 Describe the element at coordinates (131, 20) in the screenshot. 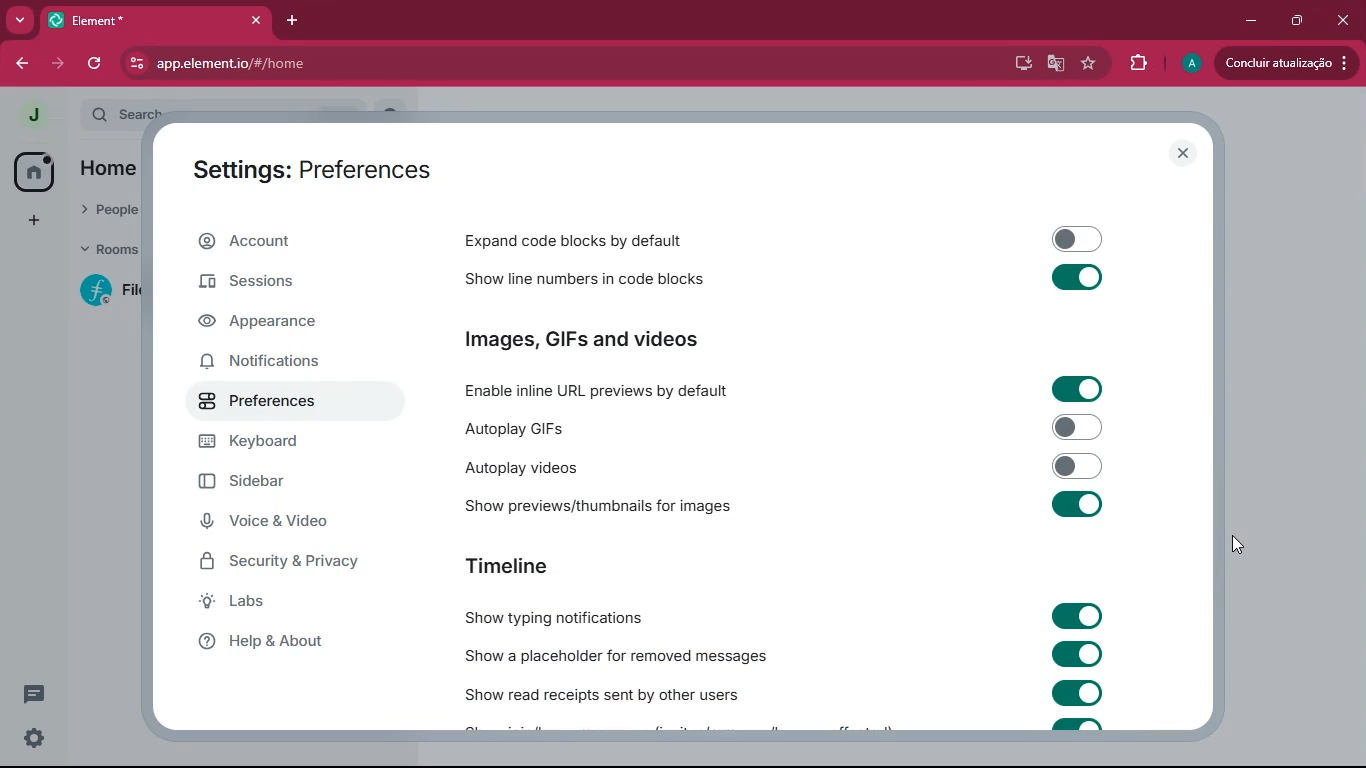

I see `tab` at that location.